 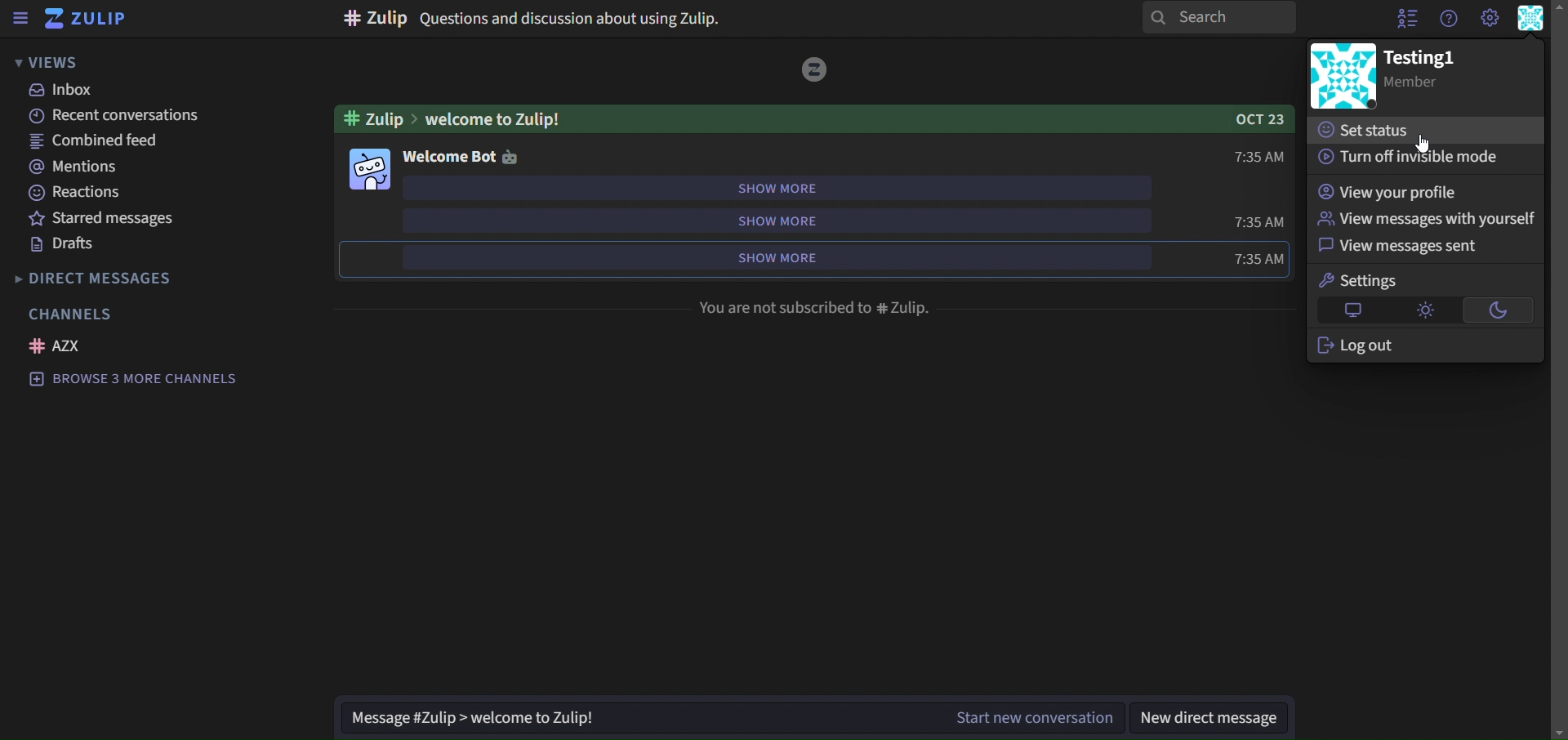 I want to click on light theme, so click(x=1426, y=309).